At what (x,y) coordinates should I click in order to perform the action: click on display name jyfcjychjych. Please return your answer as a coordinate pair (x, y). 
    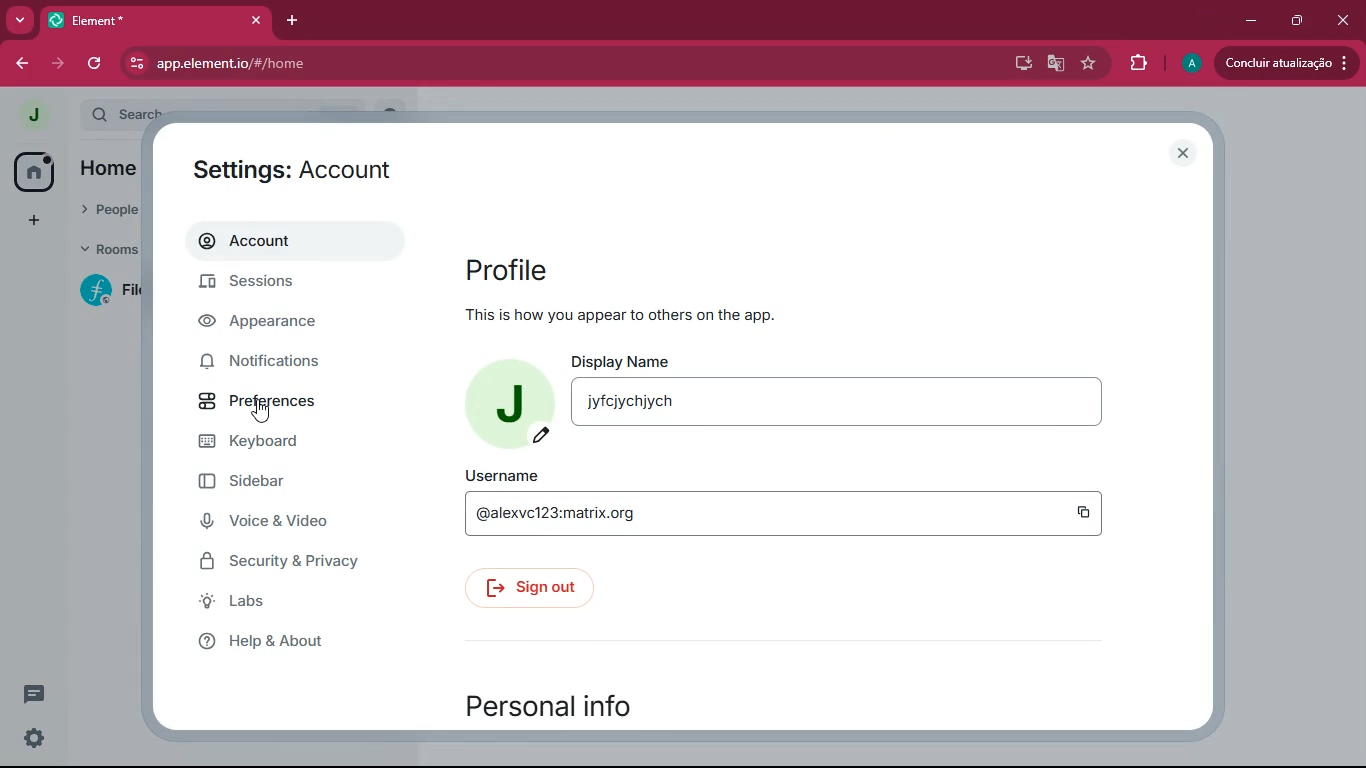
    Looking at the image, I should click on (849, 391).